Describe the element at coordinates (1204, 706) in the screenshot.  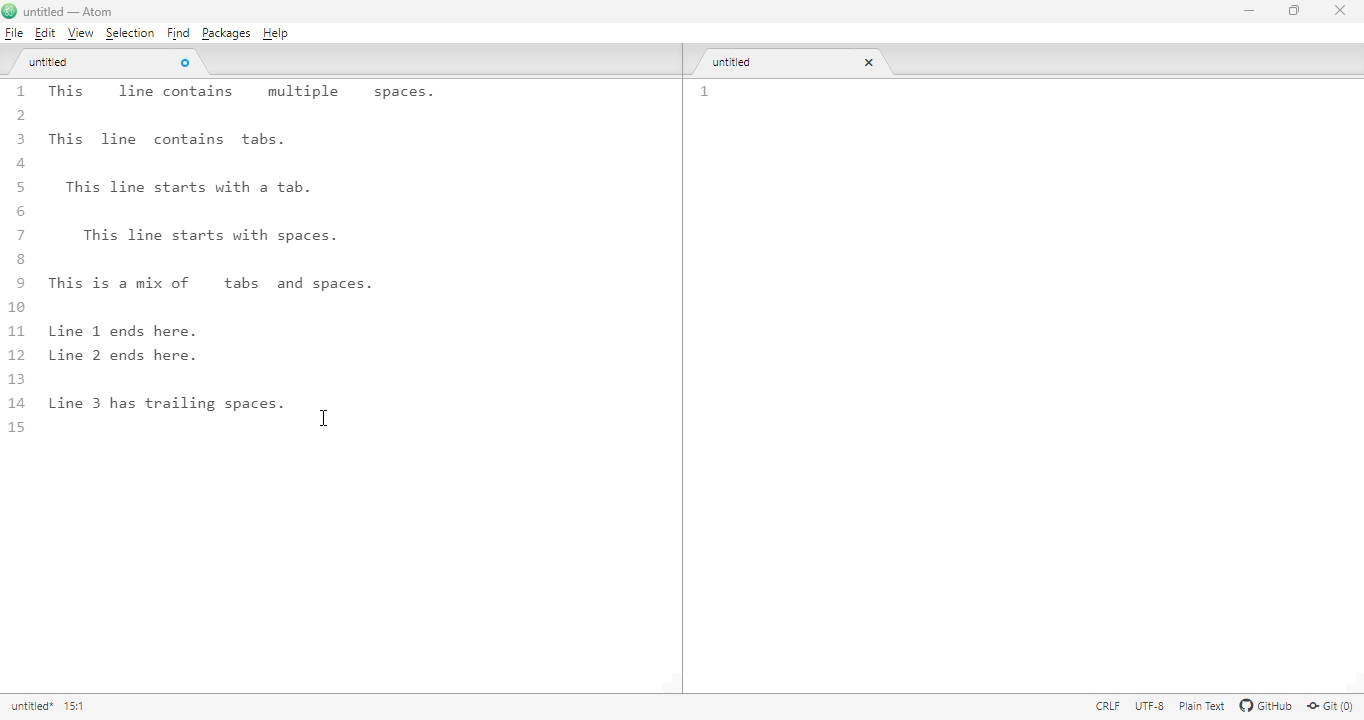
I see `plain text` at that location.